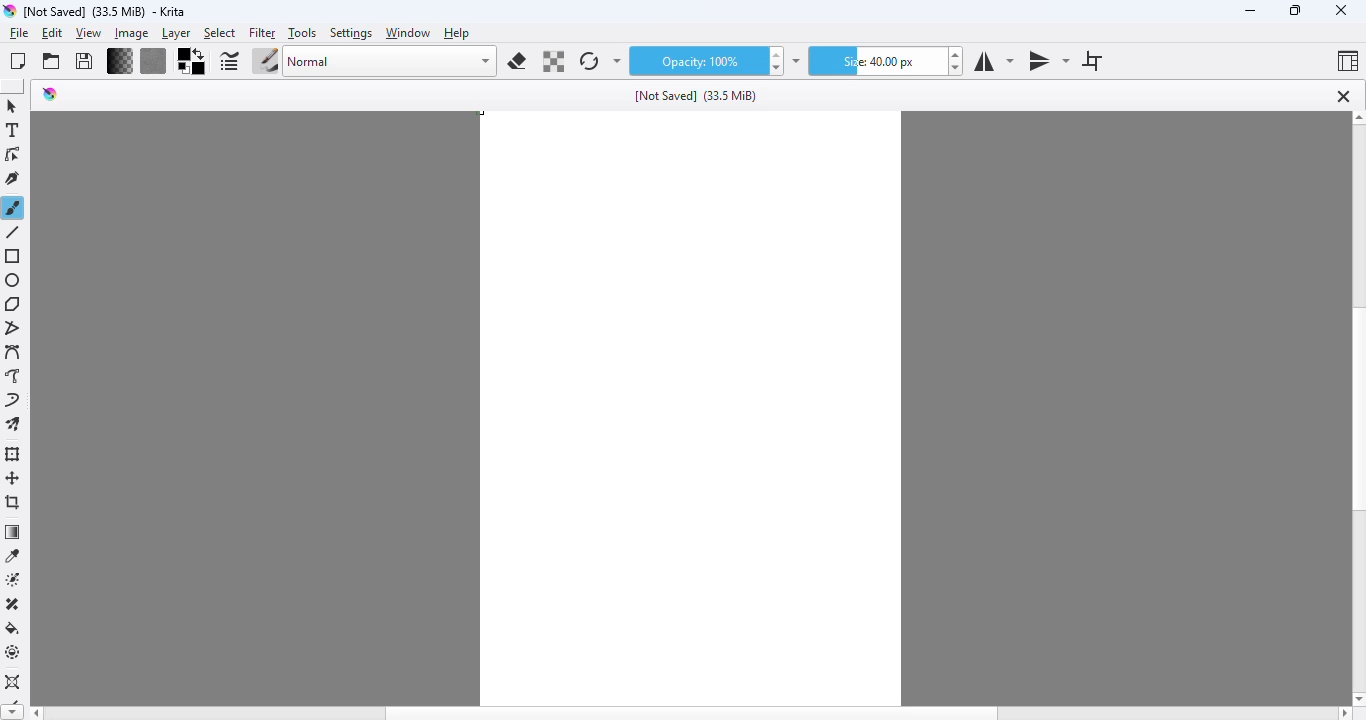  Describe the element at coordinates (14, 455) in the screenshot. I see `transform a layer or a selection` at that location.